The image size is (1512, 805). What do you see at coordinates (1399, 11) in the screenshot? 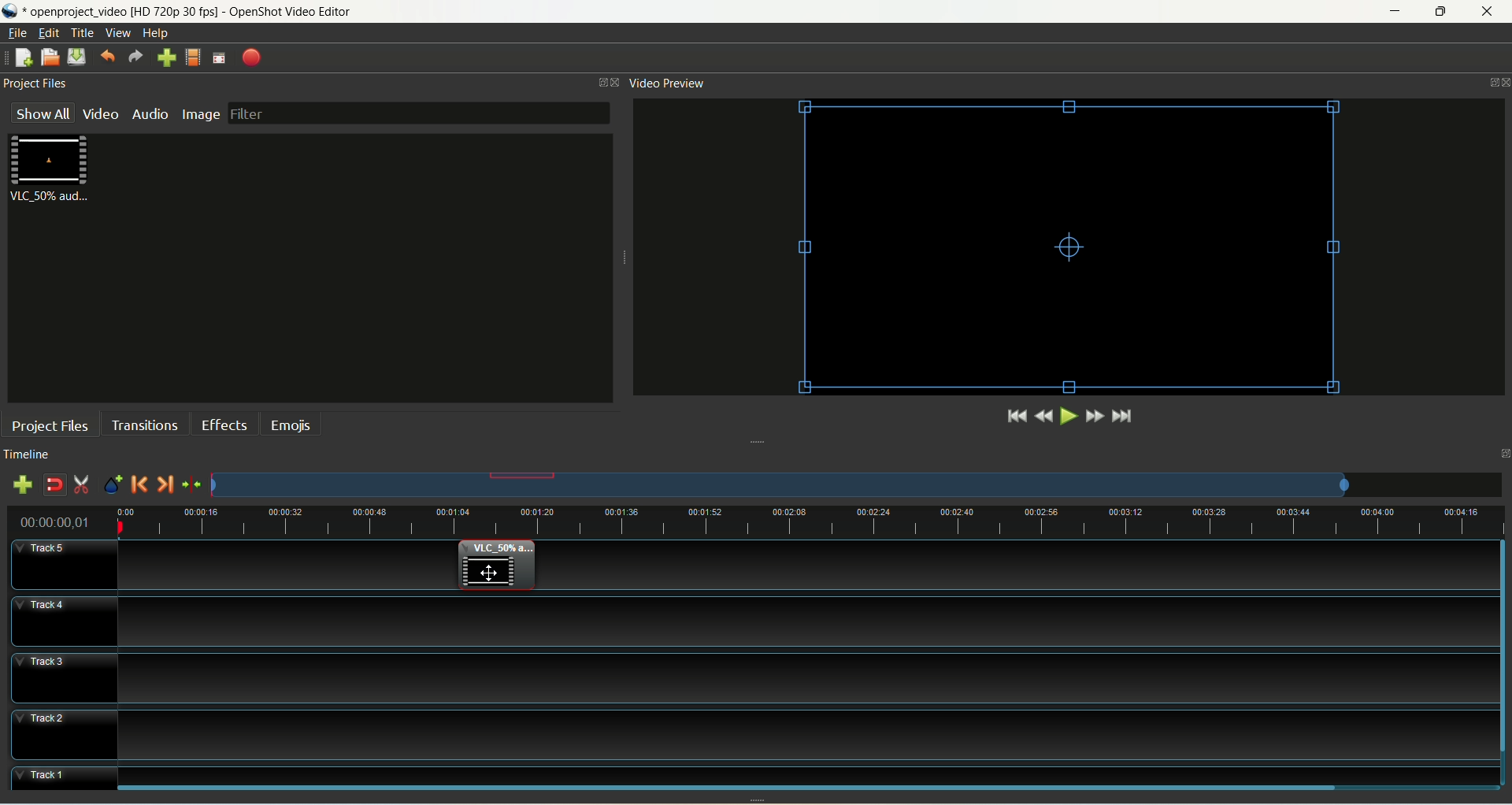
I see `minimize` at bounding box center [1399, 11].